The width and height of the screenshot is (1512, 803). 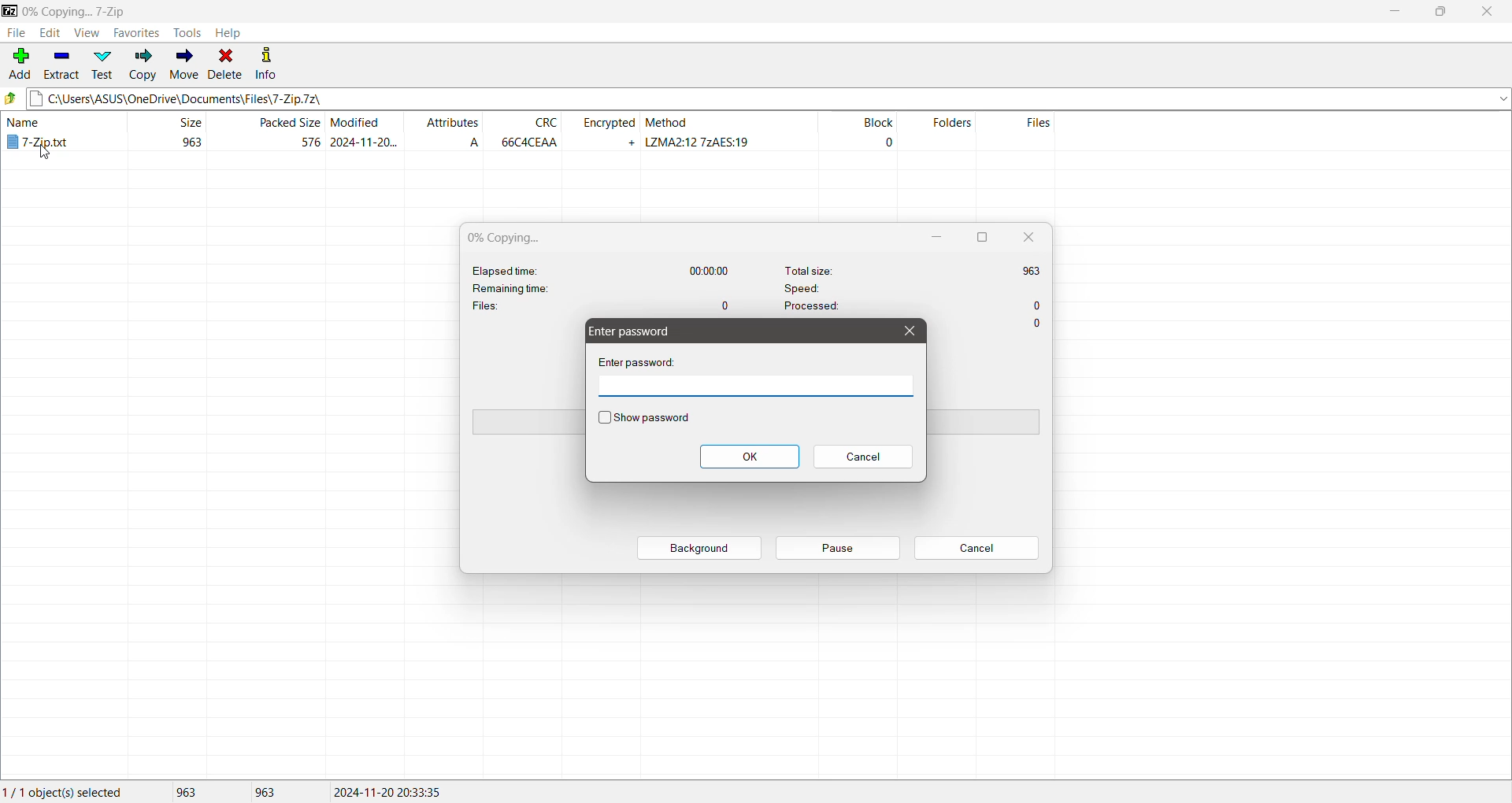 I want to click on Delete, so click(x=226, y=63).